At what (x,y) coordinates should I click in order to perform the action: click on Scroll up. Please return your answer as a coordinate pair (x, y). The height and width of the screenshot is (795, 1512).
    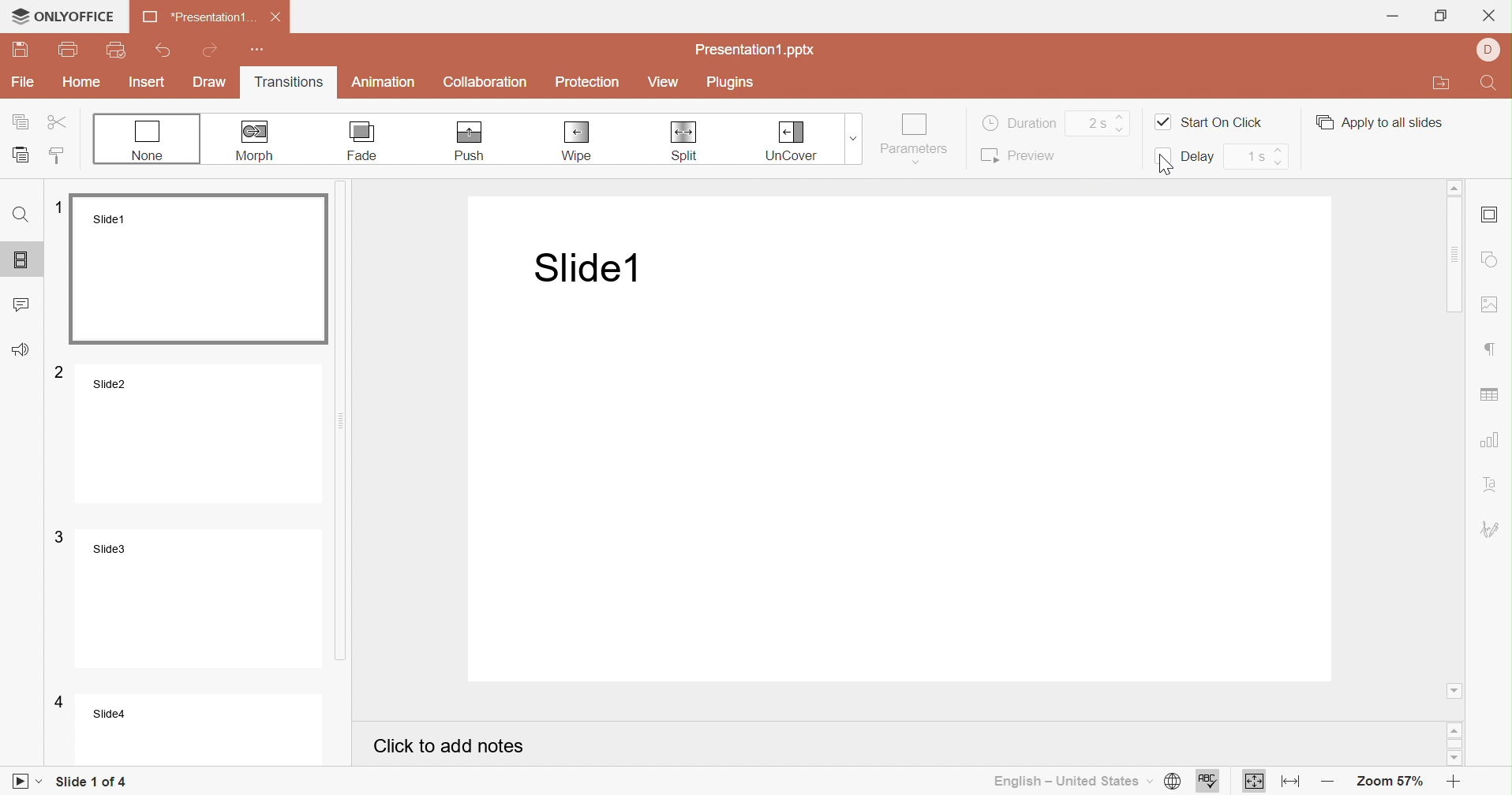
    Looking at the image, I should click on (1454, 186).